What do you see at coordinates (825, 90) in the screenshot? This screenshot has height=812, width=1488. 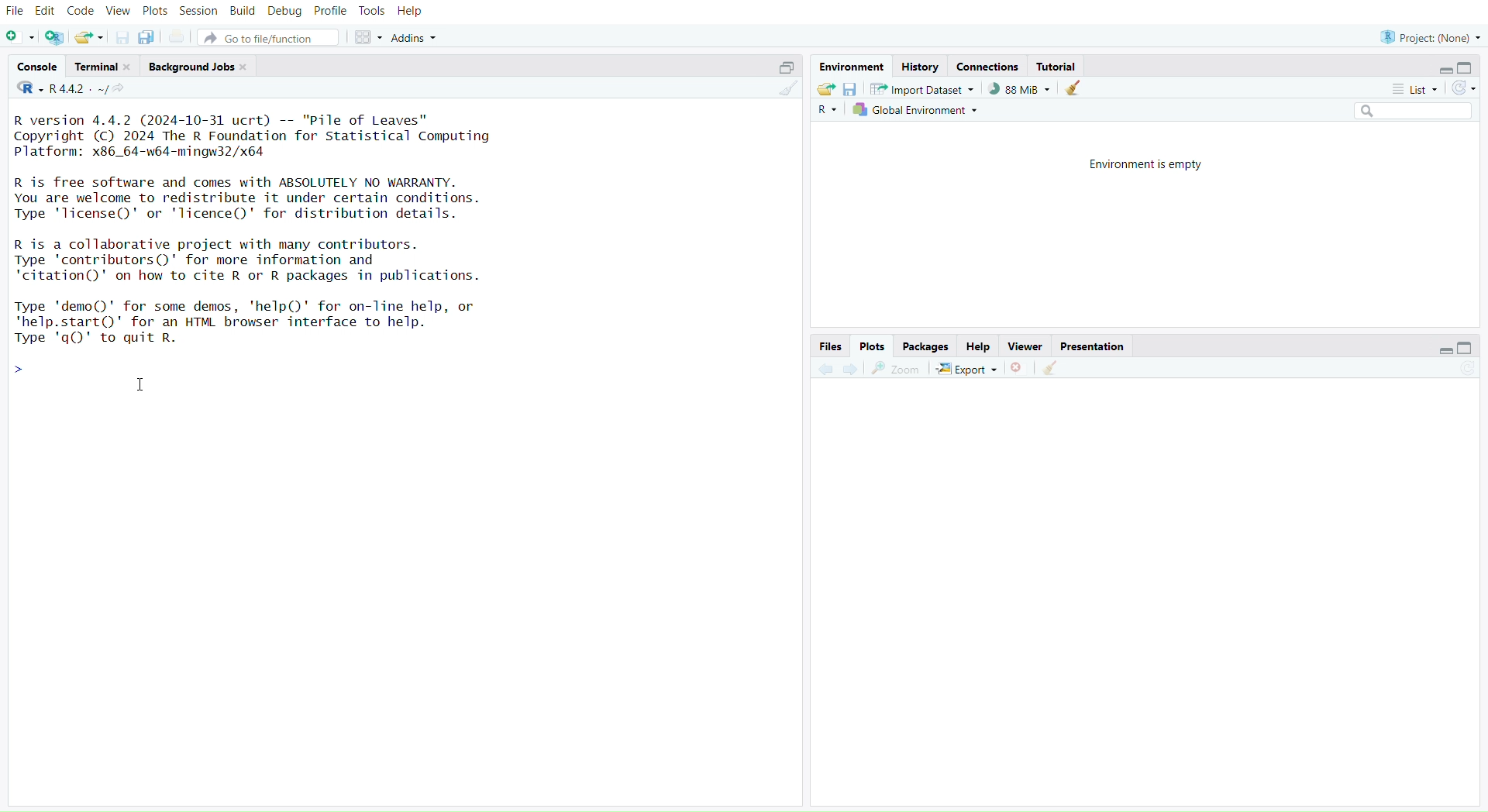 I see `load workspace` at bounding box center [825, 90].